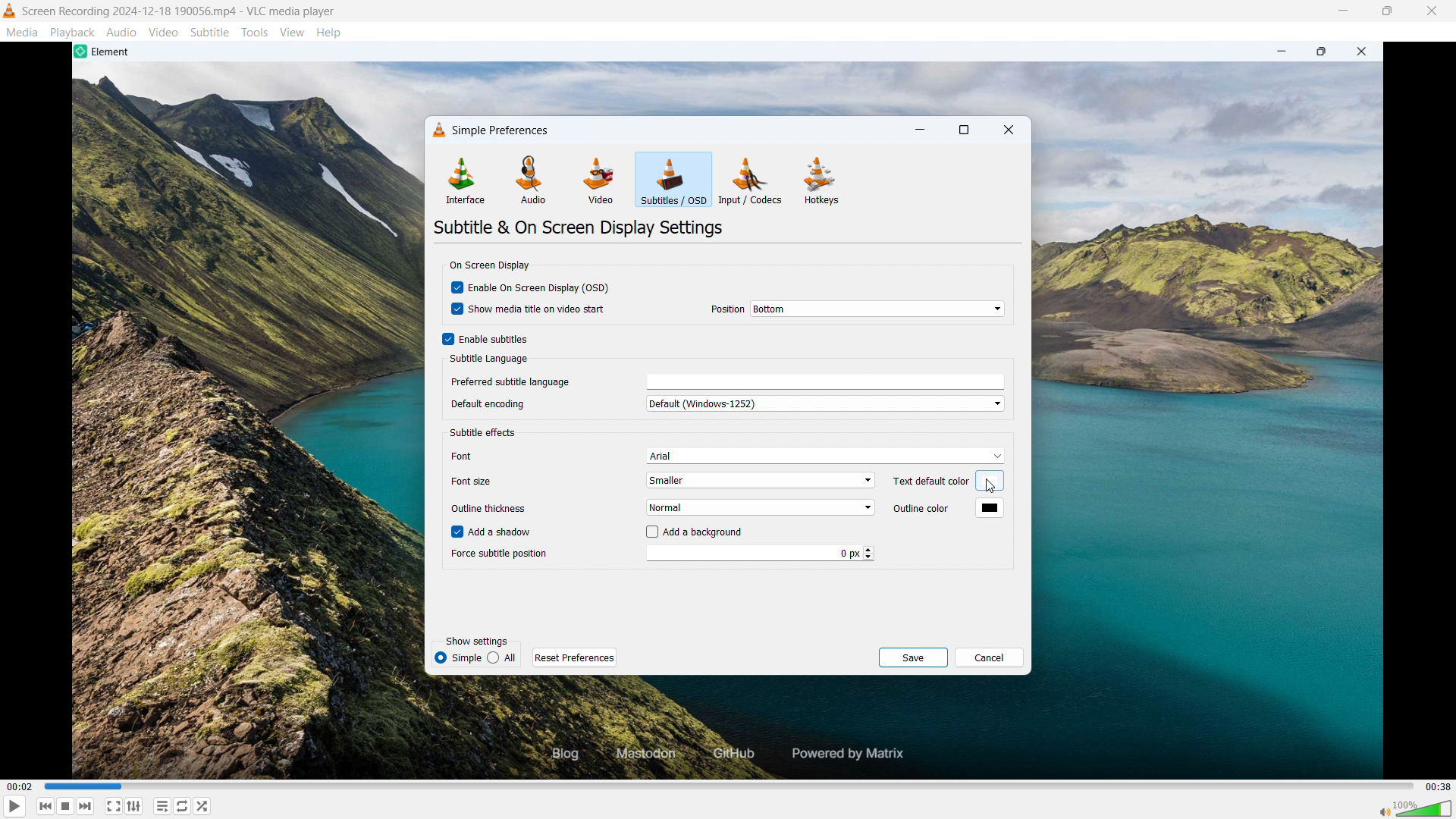 This screenshot has height=819, width=1456. What do you see at coordinates (989, 657) in the screenshot?
I see `Cancel ` at bounding box center [989, 657].